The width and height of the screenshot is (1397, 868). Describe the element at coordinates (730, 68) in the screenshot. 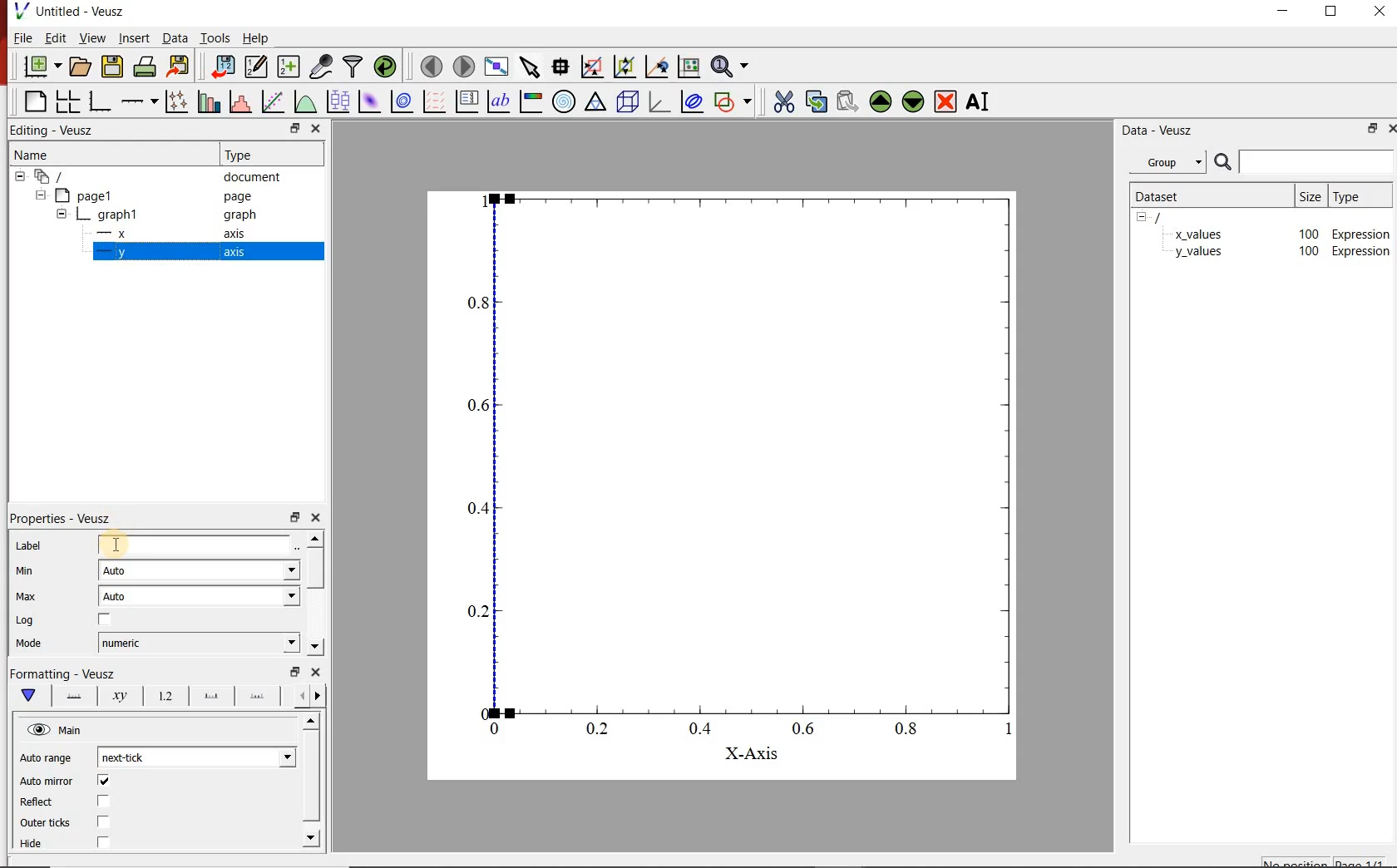

I see `zoom functions menu` at that location.